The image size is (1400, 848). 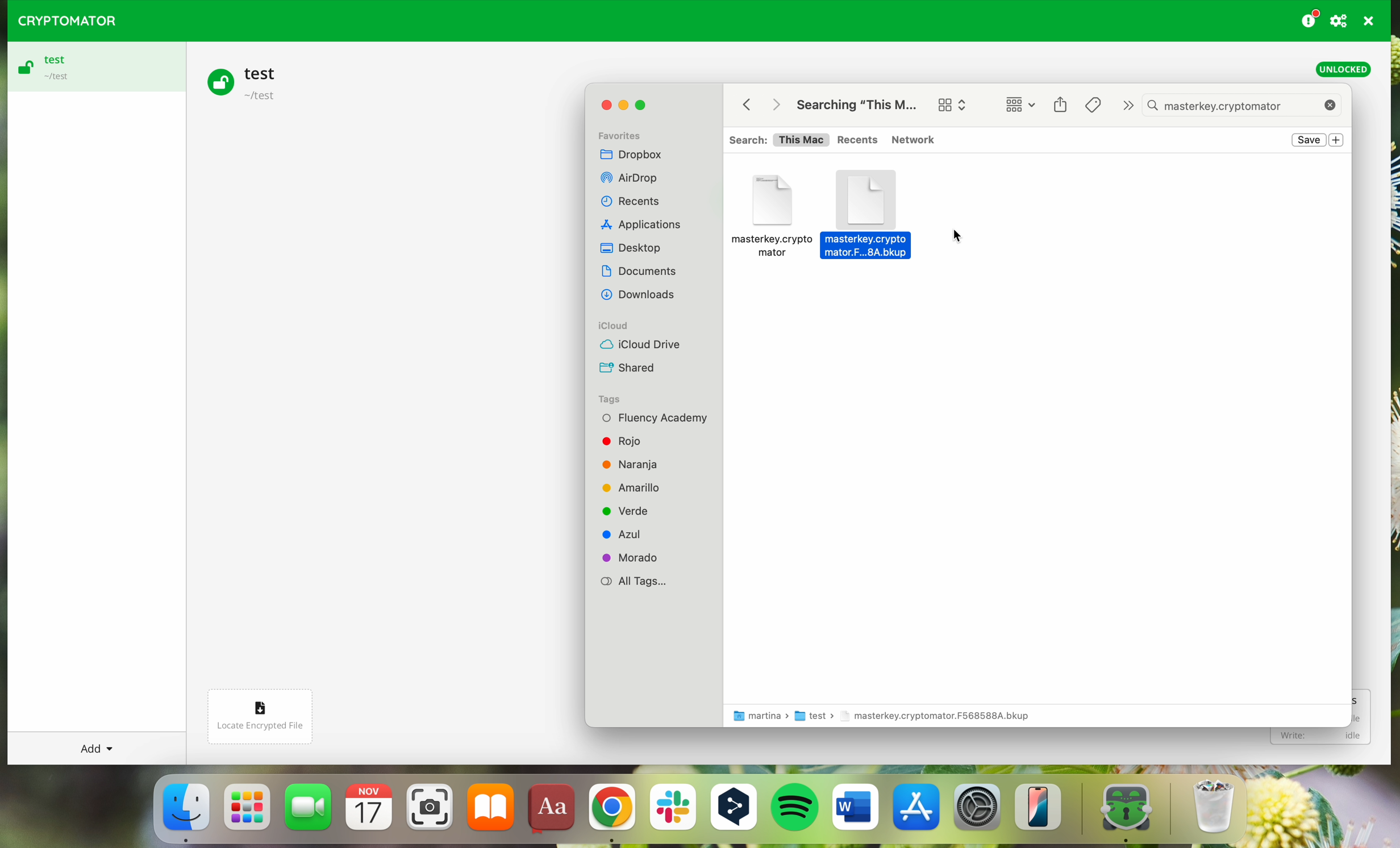 I want to click on Shared, so click(x=630, y=369).